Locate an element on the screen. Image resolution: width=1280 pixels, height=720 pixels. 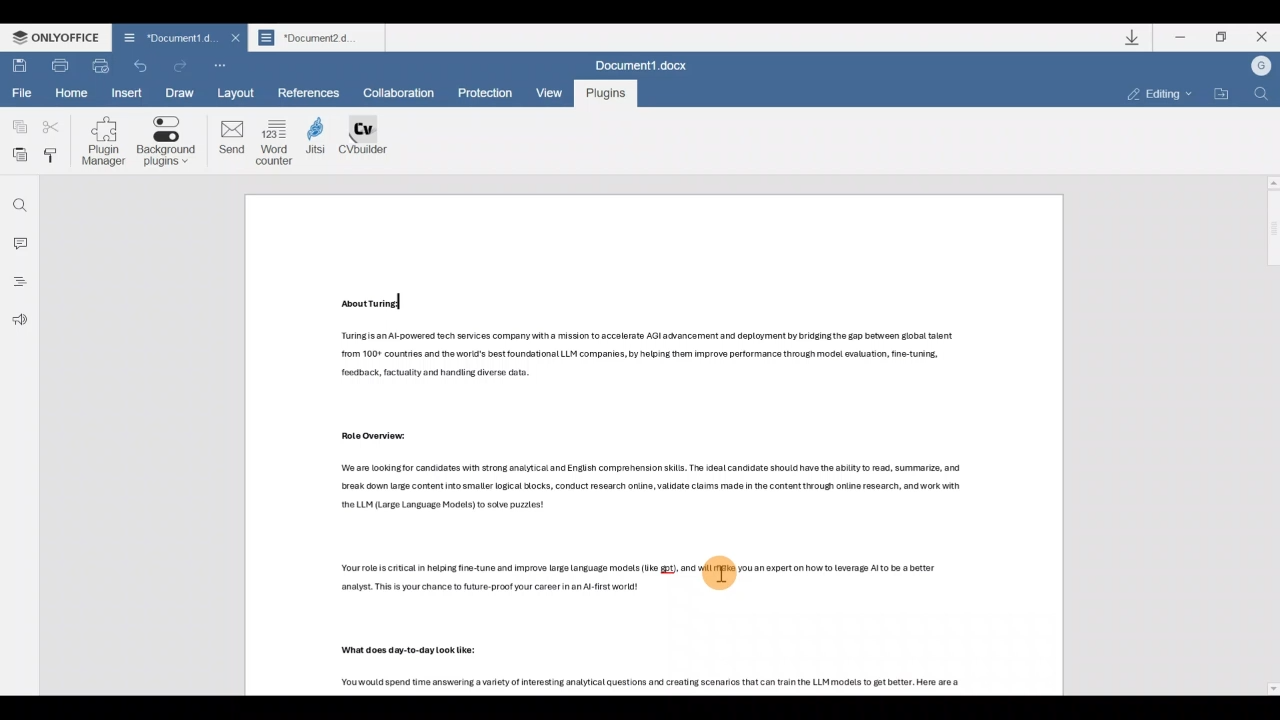
Cut is located at coordinates (52, 128).